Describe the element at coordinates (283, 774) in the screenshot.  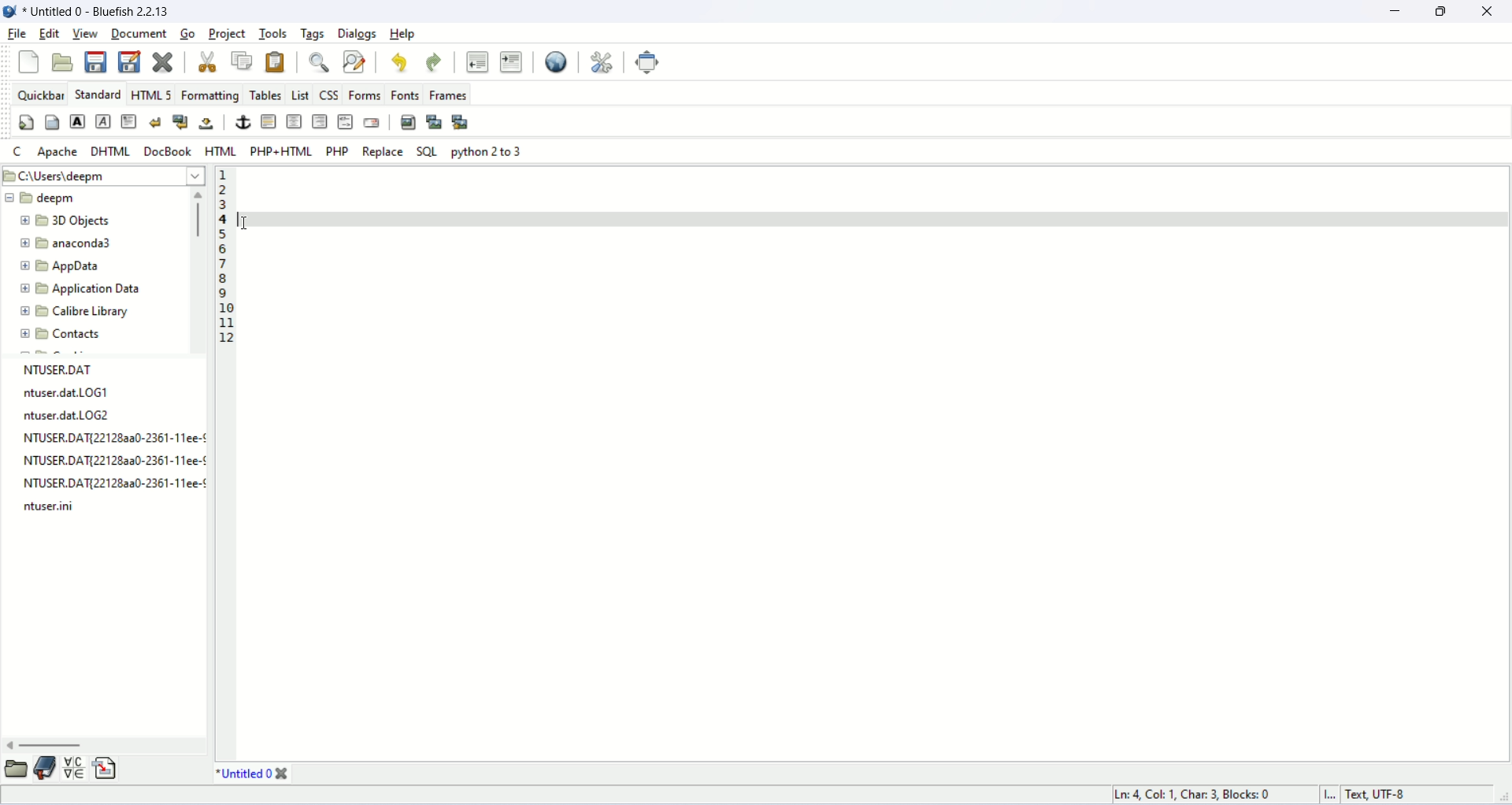
I see `close` at that location.